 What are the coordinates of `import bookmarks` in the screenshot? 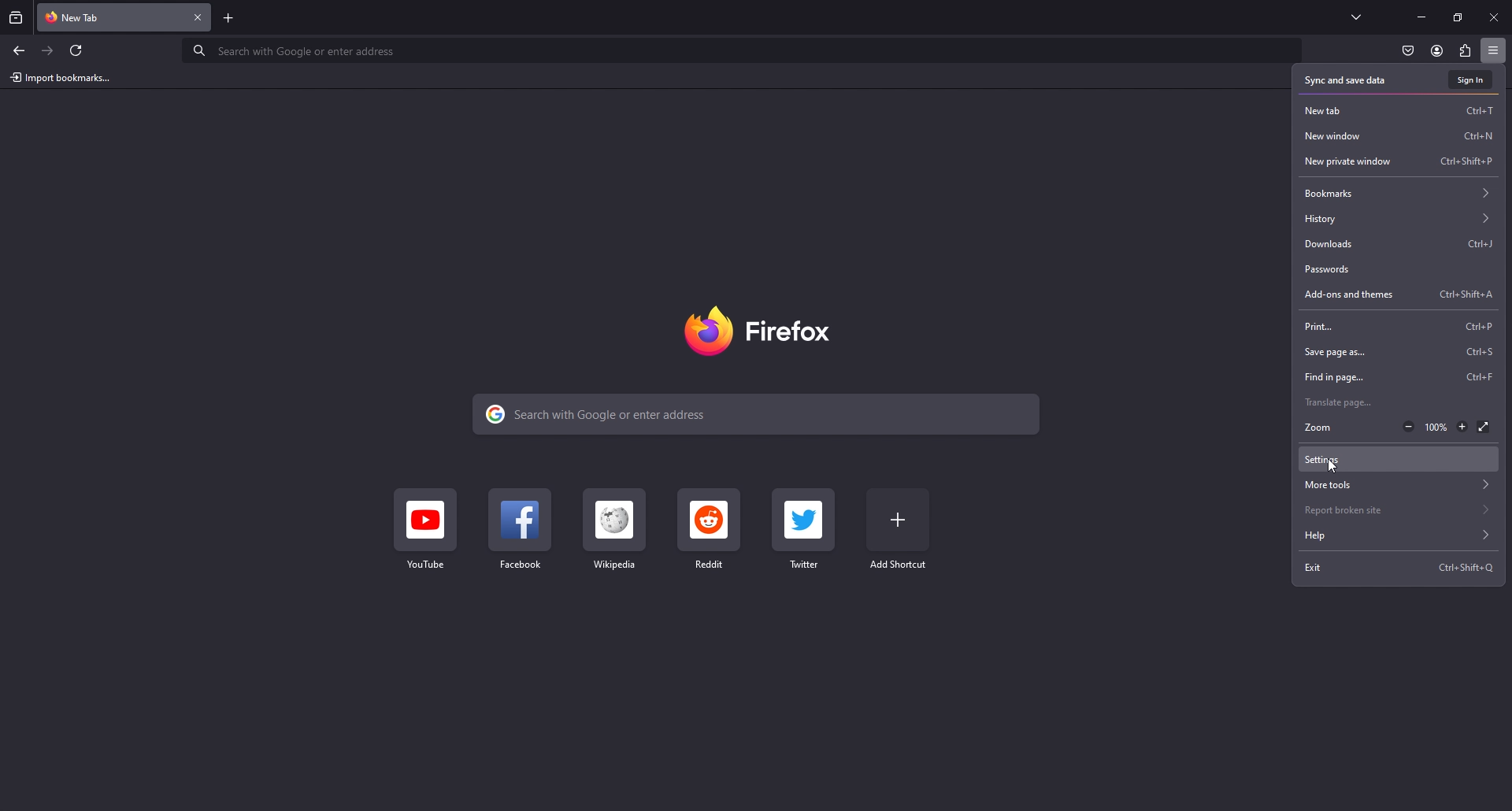 It's located at (64, 76).